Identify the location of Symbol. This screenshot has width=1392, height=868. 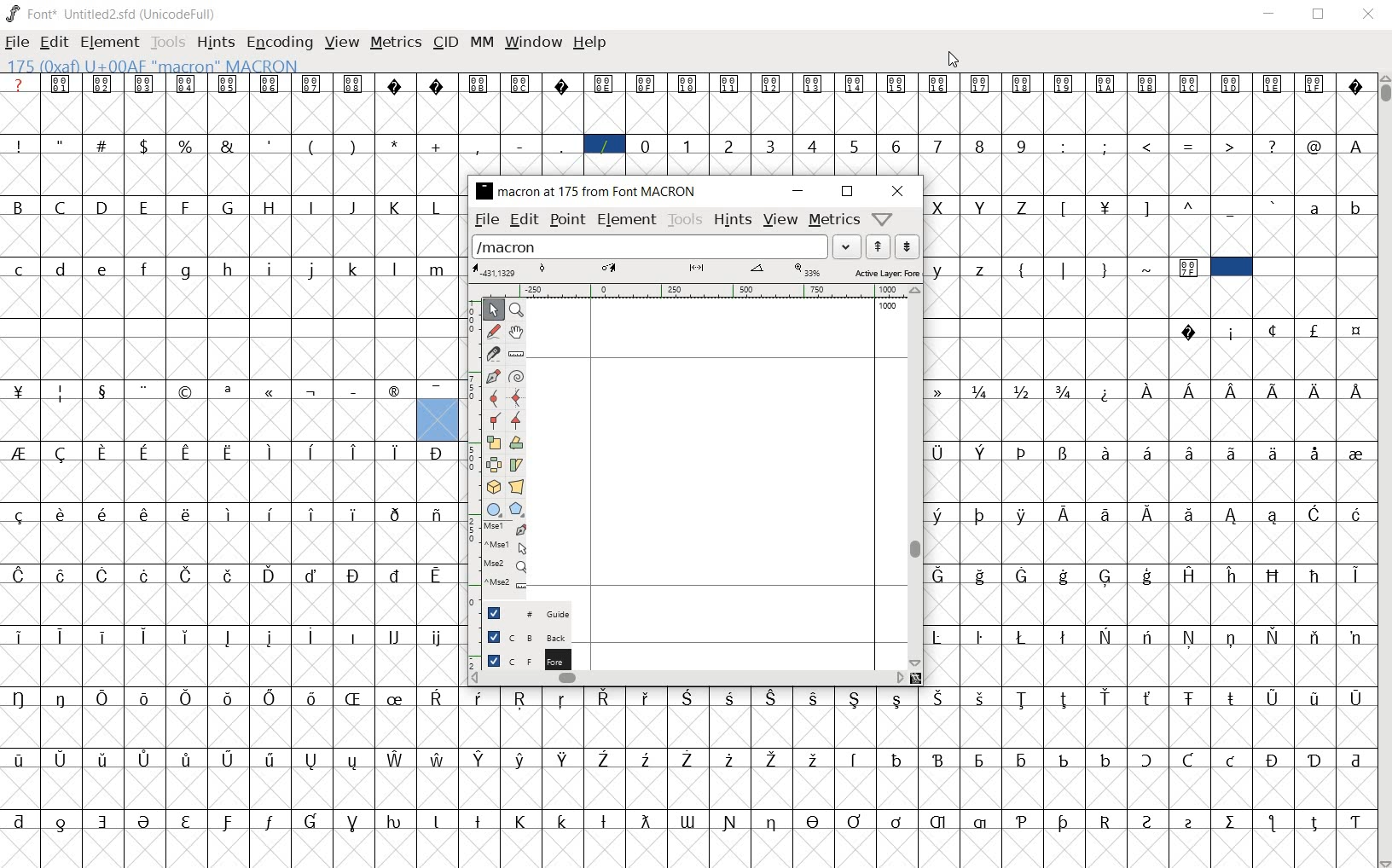
(771, 84).